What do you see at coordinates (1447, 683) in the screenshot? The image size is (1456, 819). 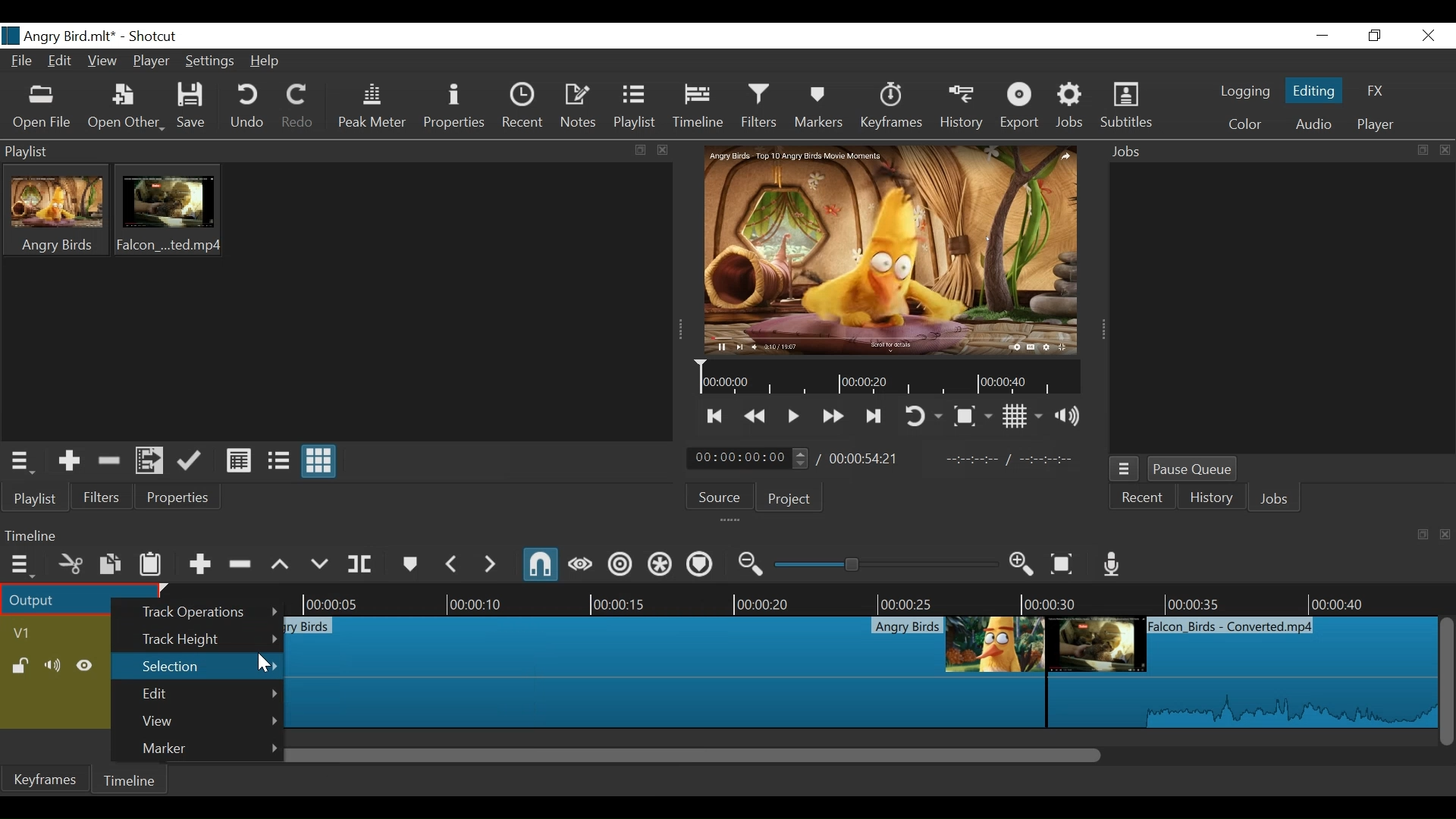 I see `Vertical Scroll bar` at bounding box center [1447, 683].